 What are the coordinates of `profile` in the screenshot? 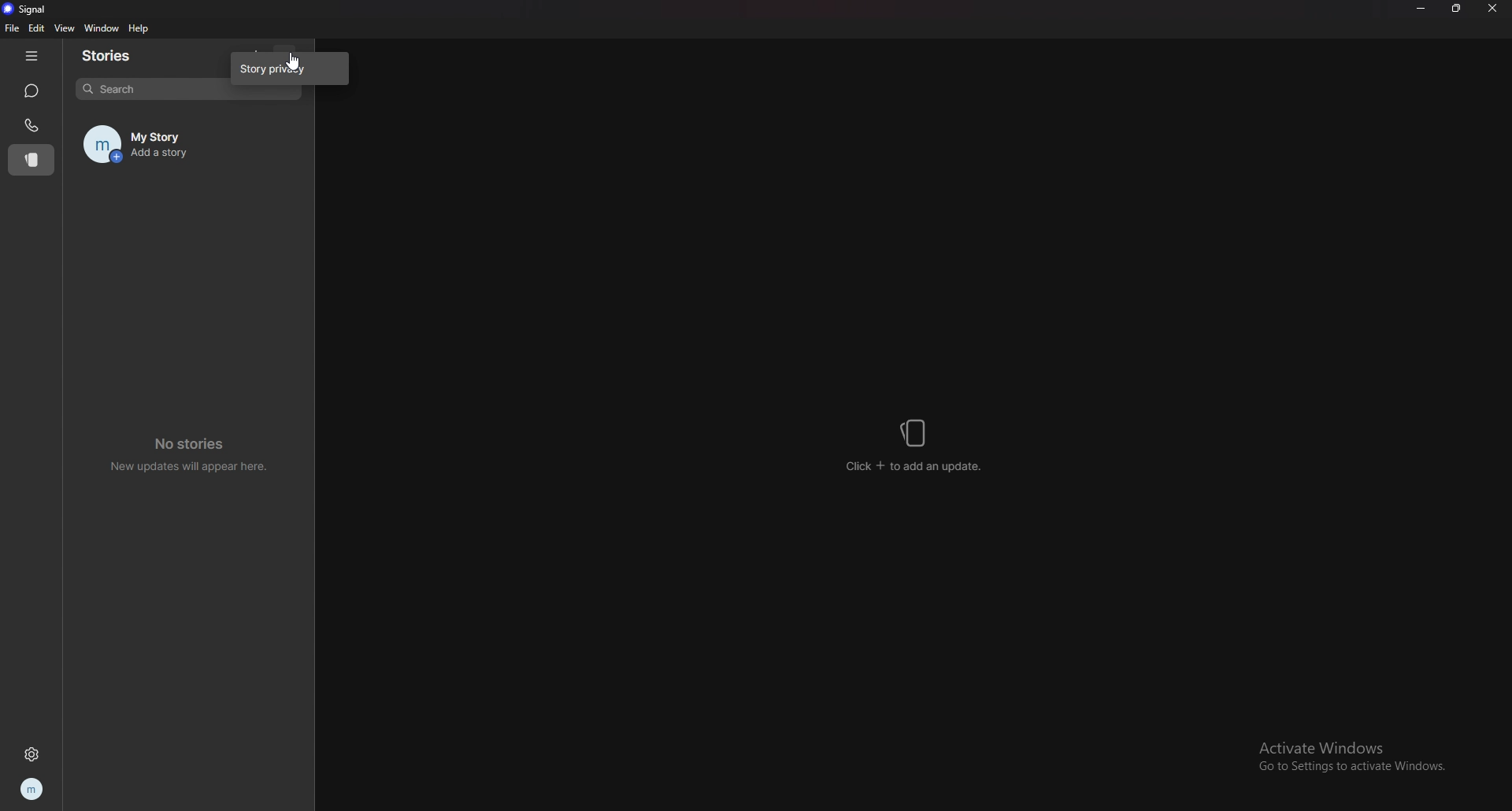 It's located at (33, 788).